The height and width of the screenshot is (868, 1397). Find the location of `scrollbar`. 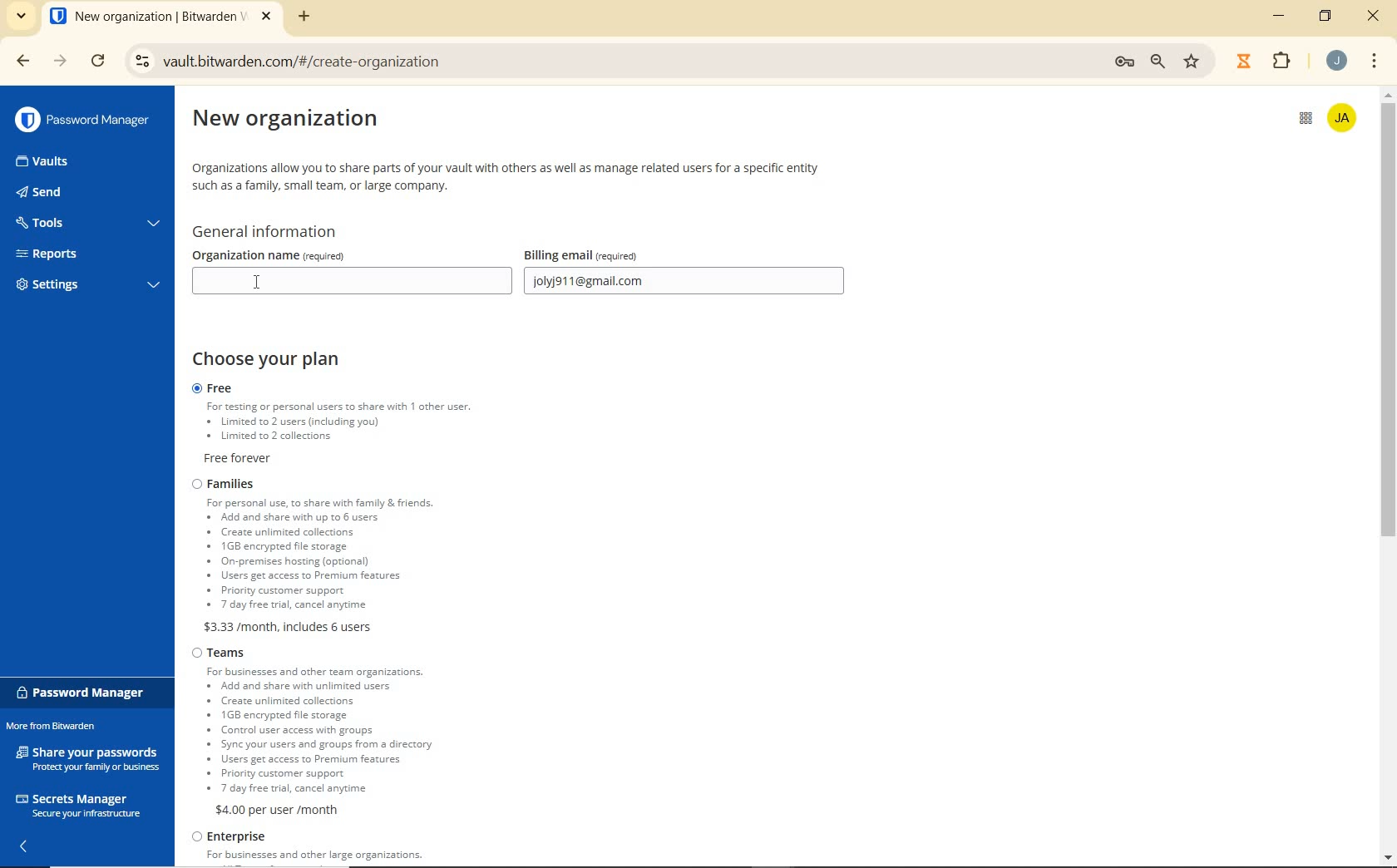

scrollbar is located at coordinates (1389, 475).